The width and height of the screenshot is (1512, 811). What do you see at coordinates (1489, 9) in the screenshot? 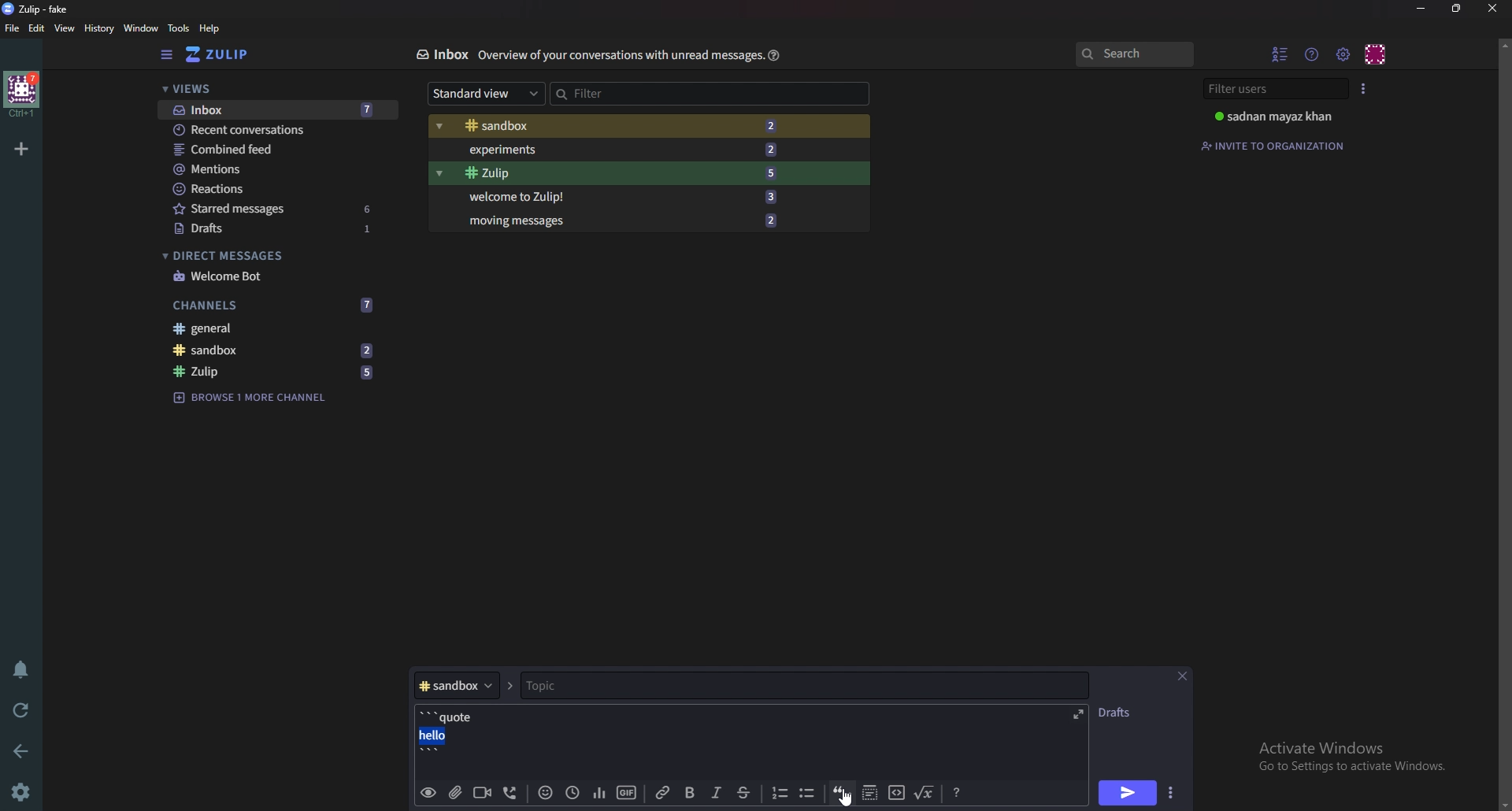
I see `Close` at bounding box center [1489, 9].